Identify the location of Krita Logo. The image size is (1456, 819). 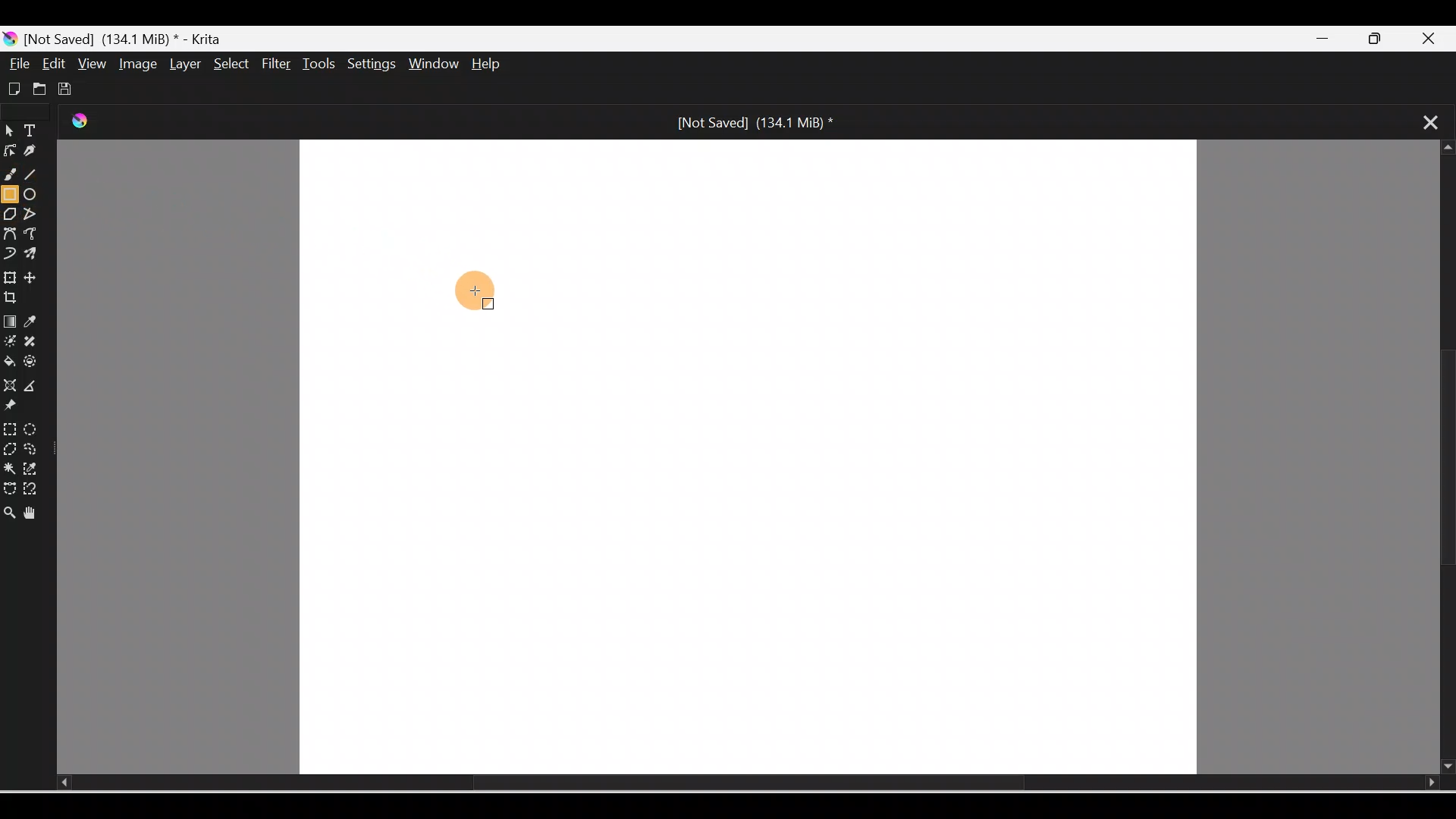
(92, 127).